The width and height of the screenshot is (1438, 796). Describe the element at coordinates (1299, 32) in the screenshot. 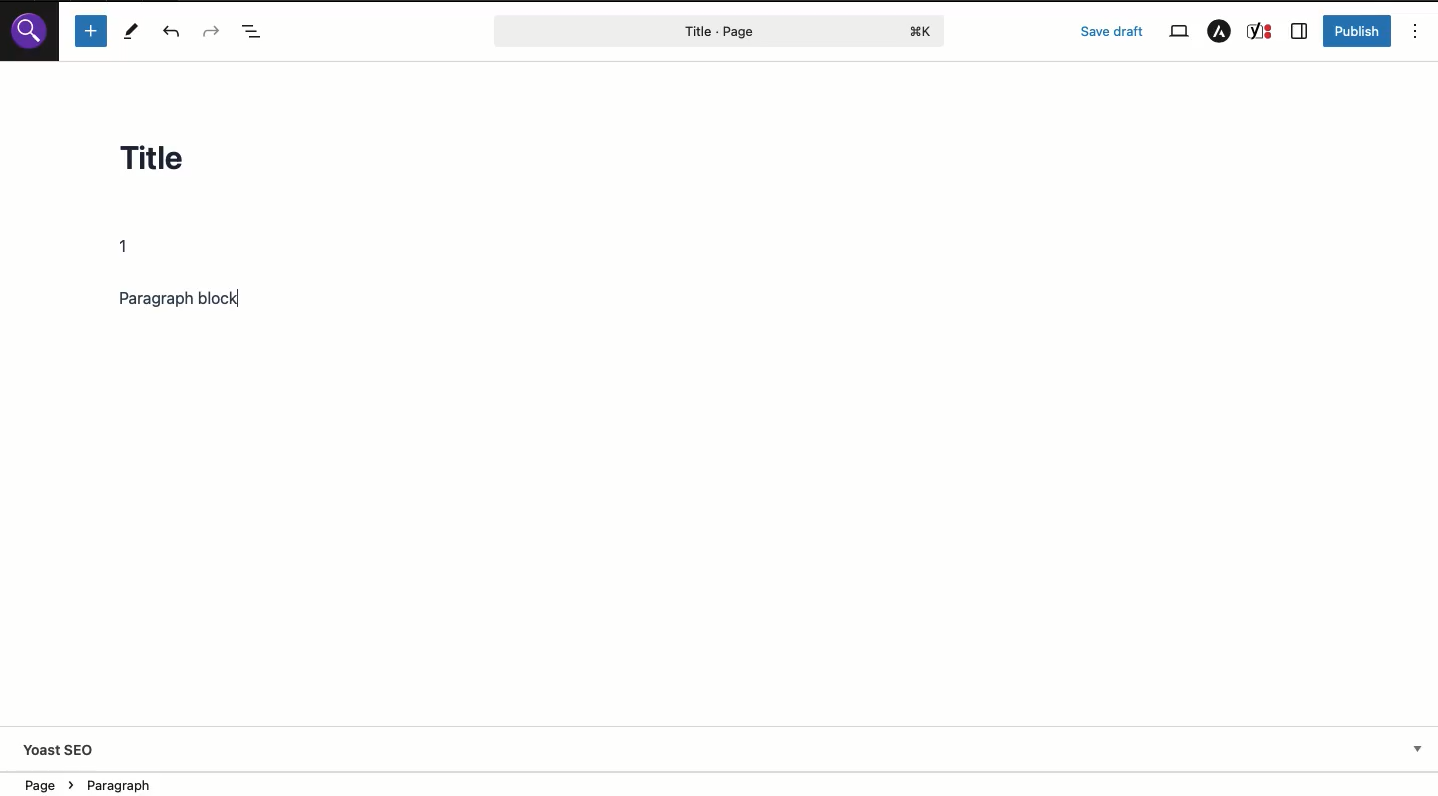

I see `Sidebar` at that location.